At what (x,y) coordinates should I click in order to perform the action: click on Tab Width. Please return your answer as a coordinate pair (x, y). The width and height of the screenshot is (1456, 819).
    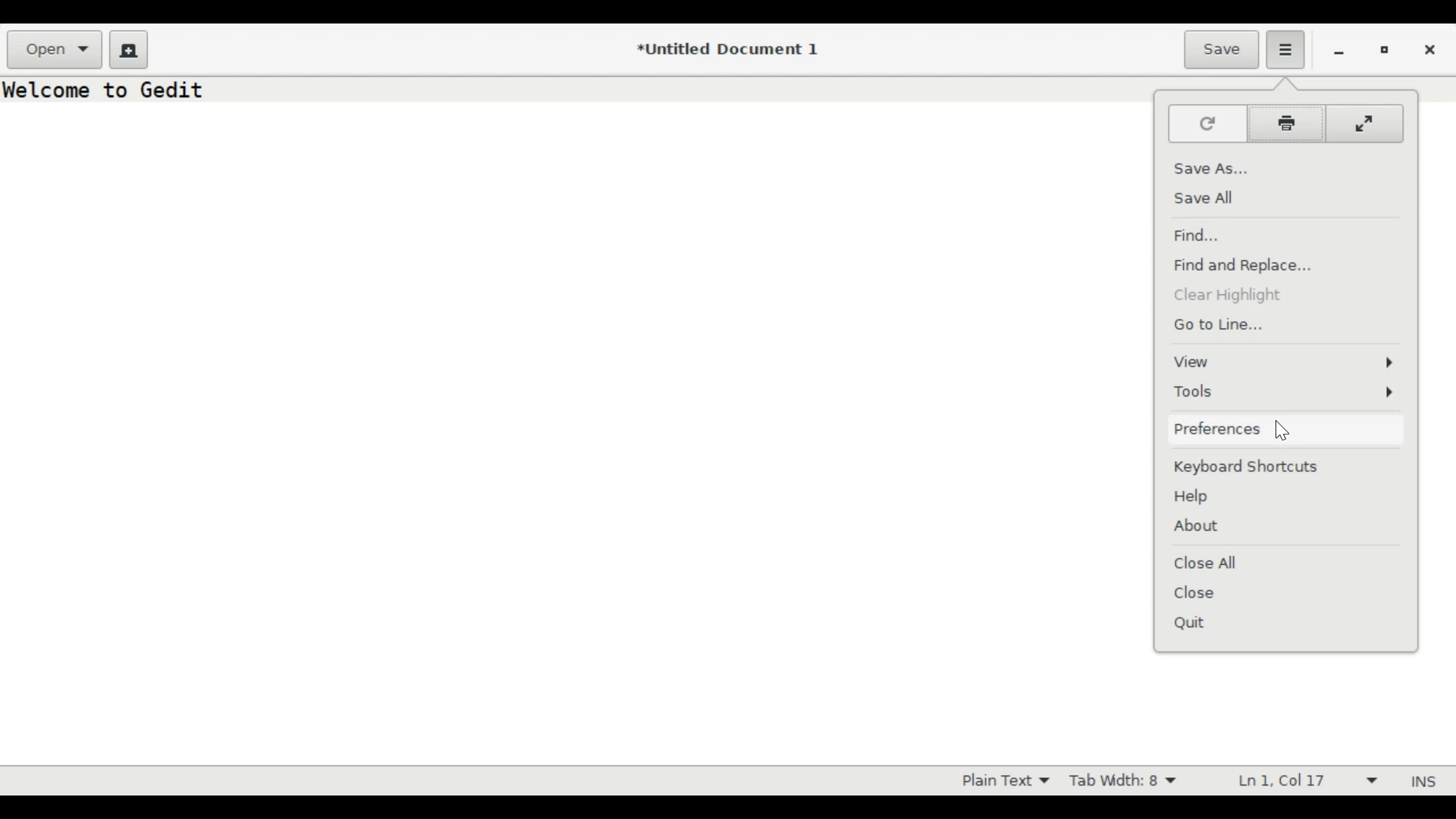
    Looking at the image, I should click on (1130, 781).